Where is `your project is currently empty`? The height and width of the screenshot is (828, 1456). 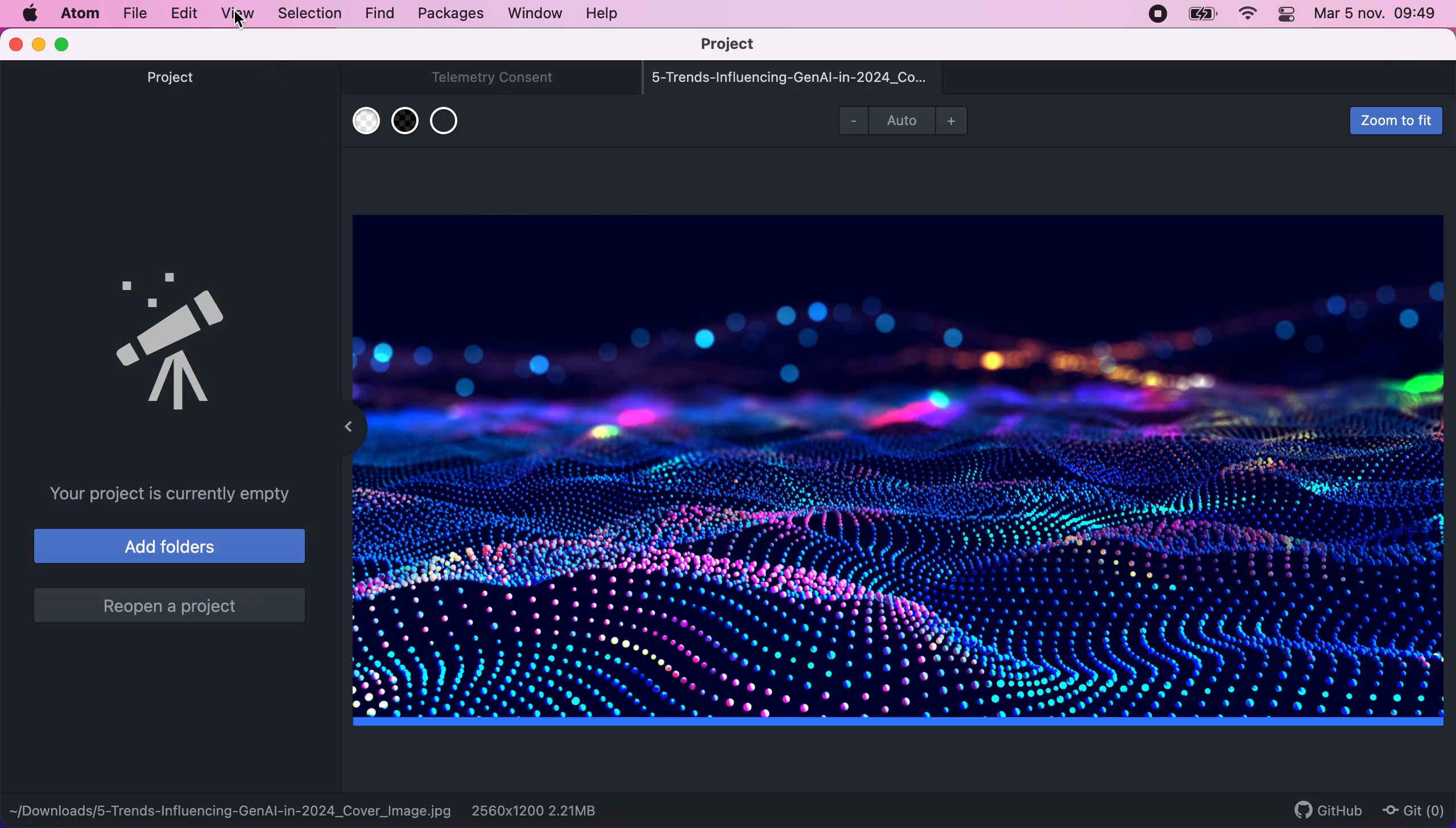
your project is currently empty is located at coordinates (166, 492).